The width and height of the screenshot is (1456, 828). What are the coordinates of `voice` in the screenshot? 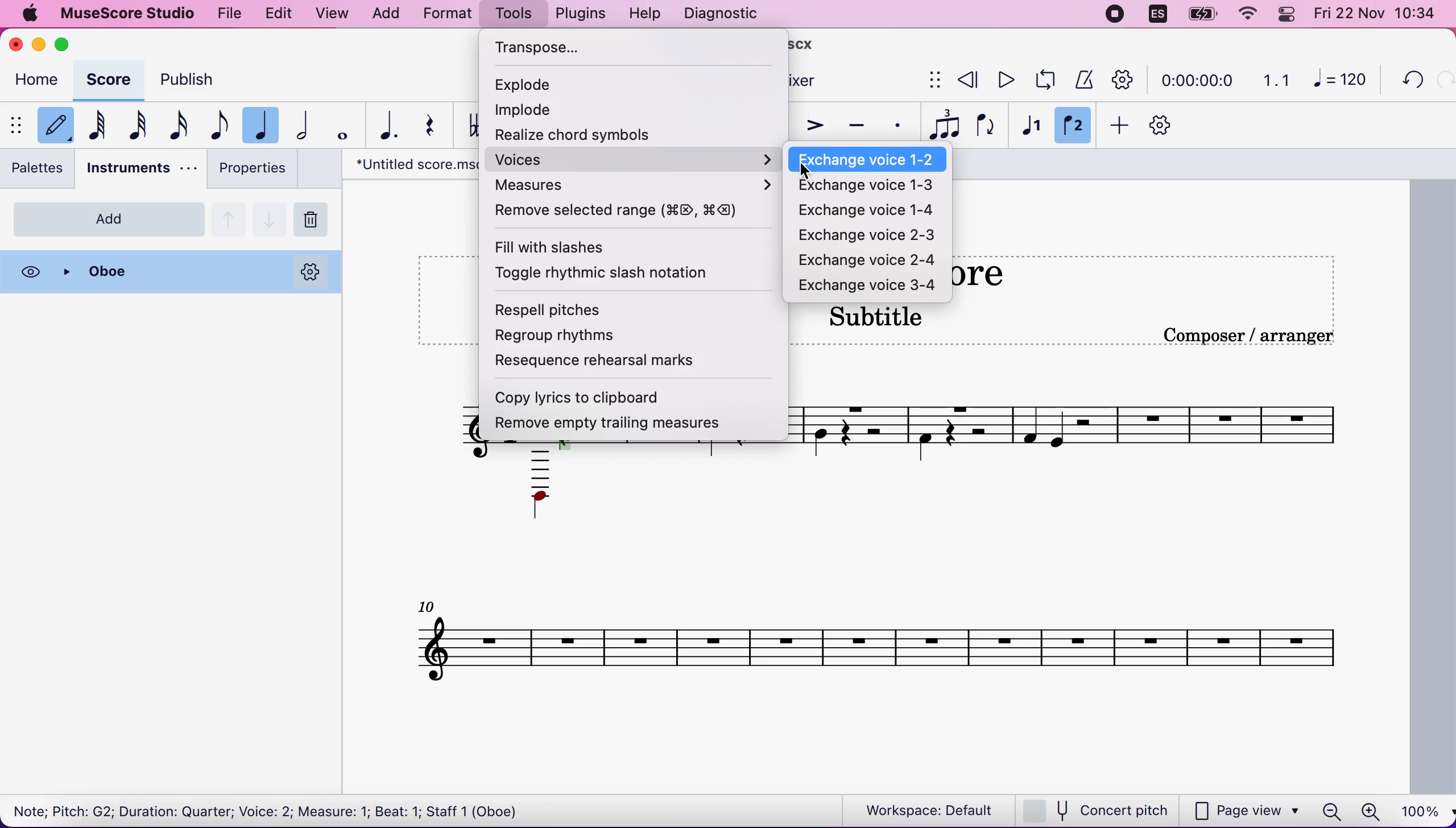 It's located at (637, 161).